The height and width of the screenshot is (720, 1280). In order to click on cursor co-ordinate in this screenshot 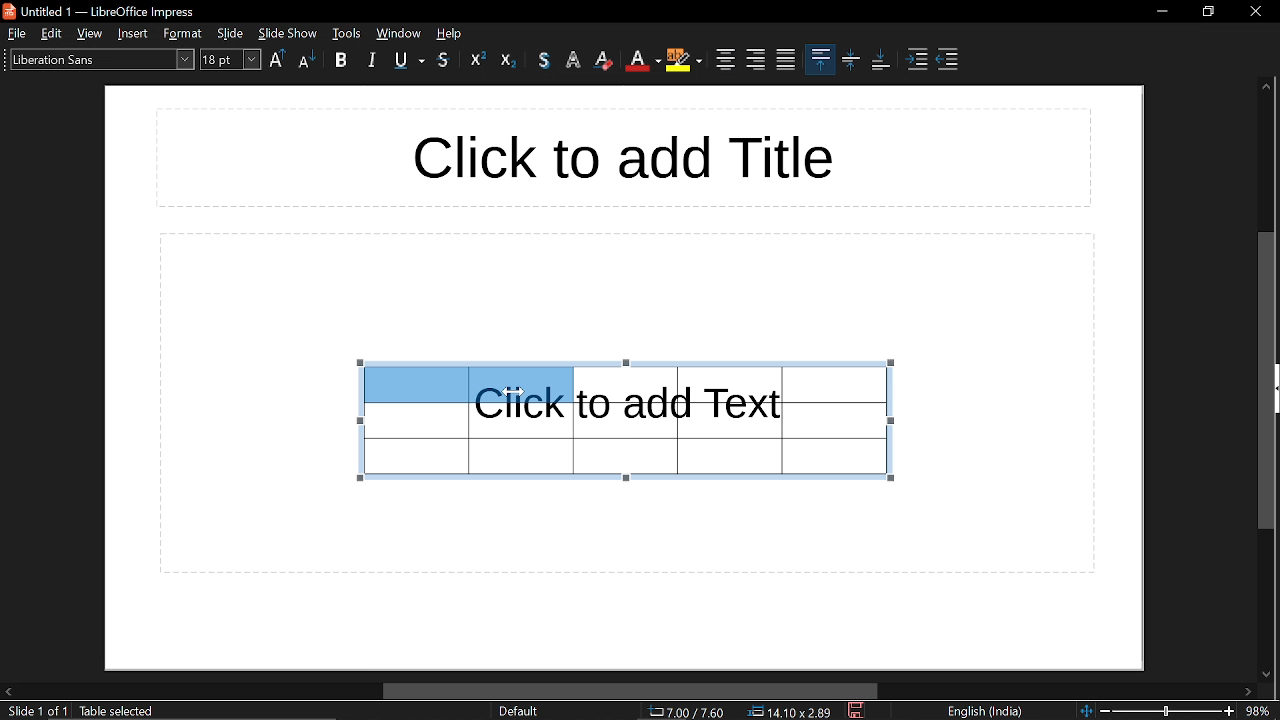, I will do `click(686, 712)`.